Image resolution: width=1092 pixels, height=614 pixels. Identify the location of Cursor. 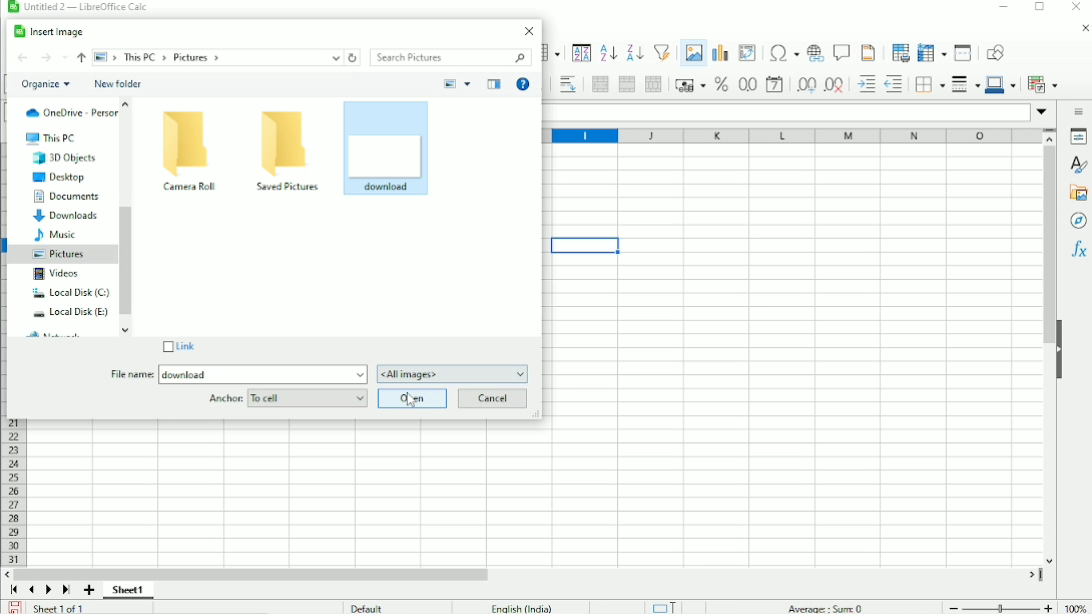
(412, 402).